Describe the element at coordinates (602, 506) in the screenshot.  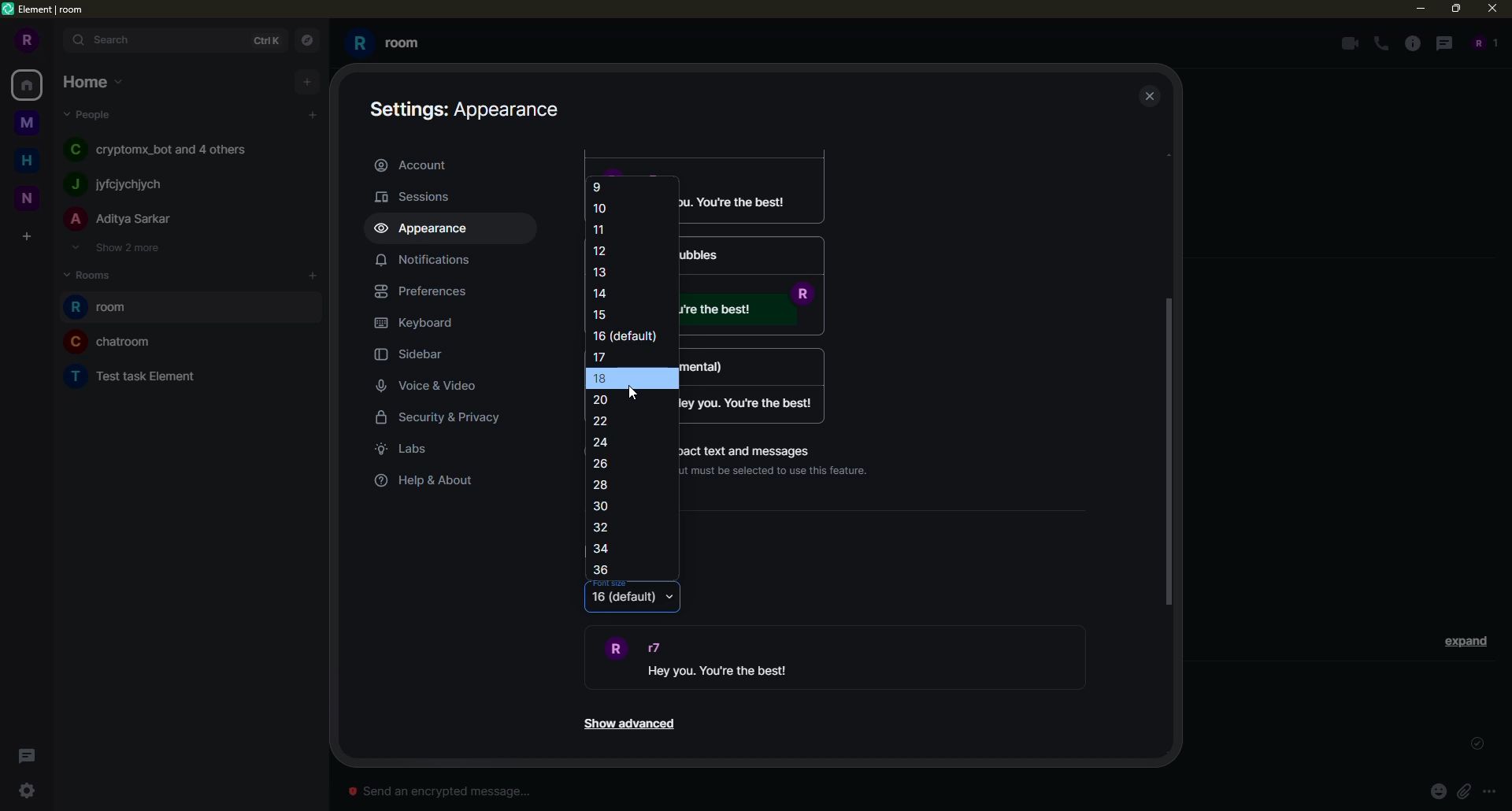
I see `30` at that location.